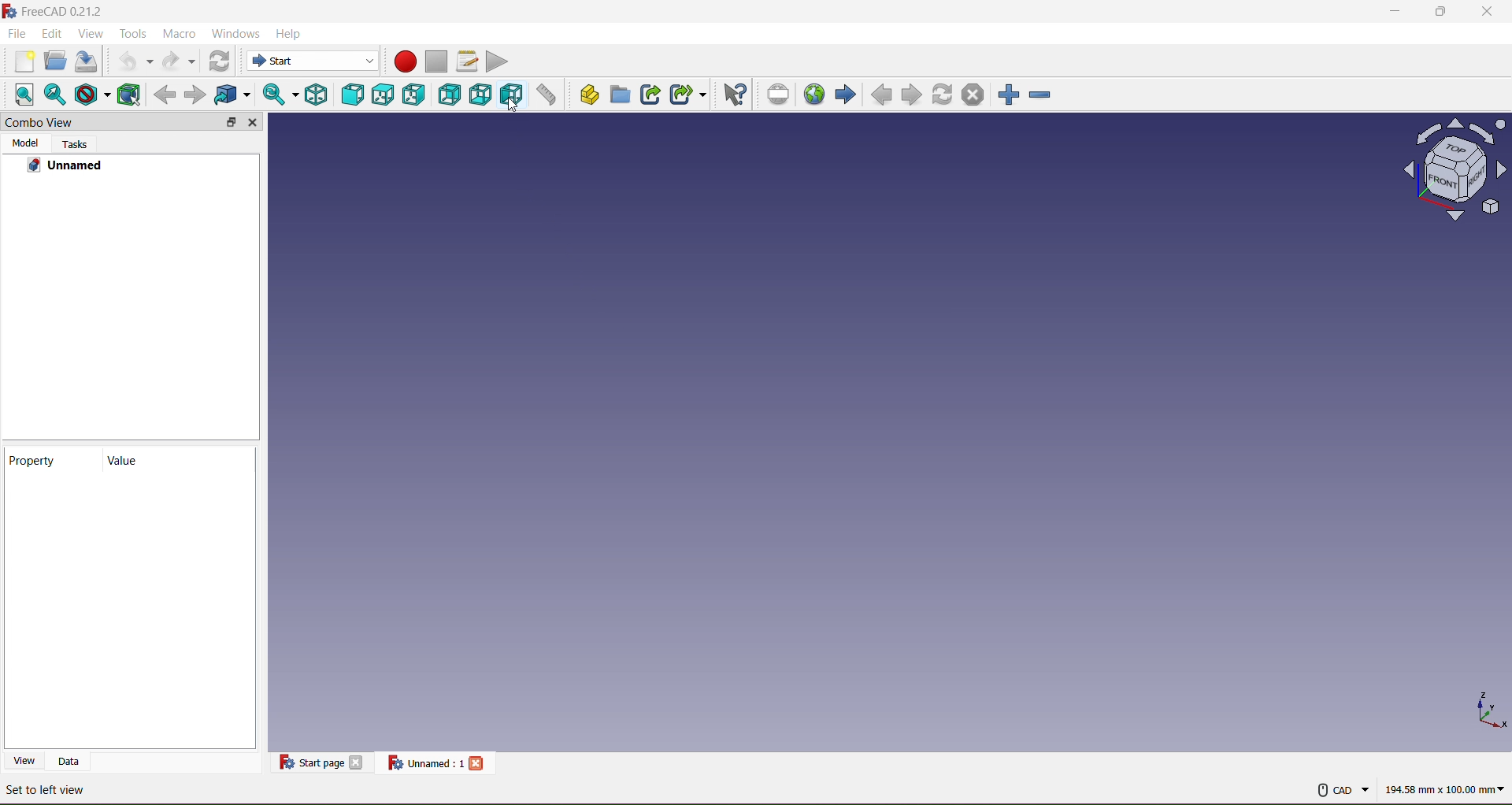 The height and width of the screenshot is (805, 1512). Describe the element at coordinates (143, 458) in the screenshot. I see `Value` at that location.